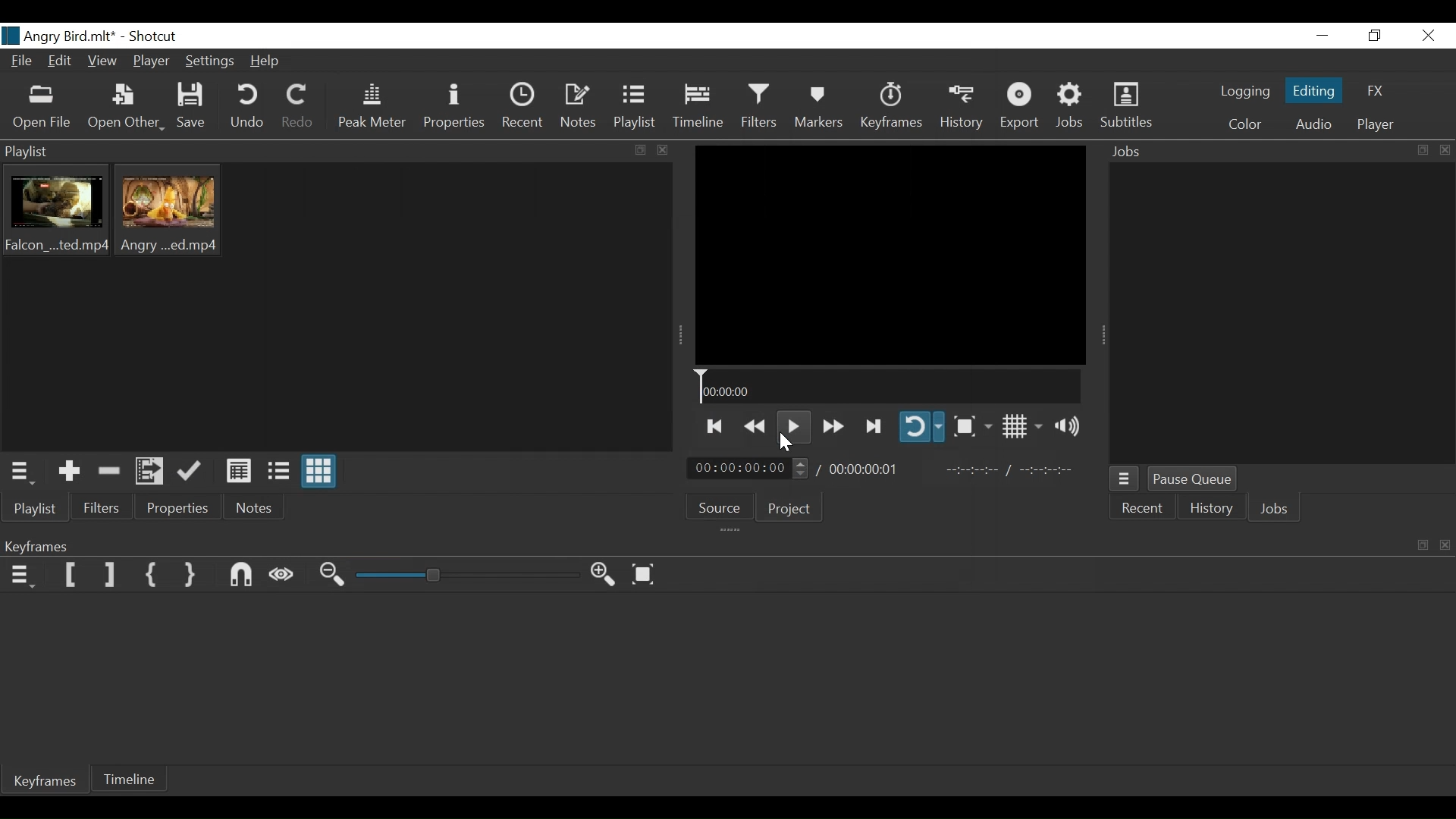 This screenshot has height=819, width=1456. What do you see at coordinates (864, 469) in the screenshot?
I see `Total Duration` at bounding box center [864, 469].